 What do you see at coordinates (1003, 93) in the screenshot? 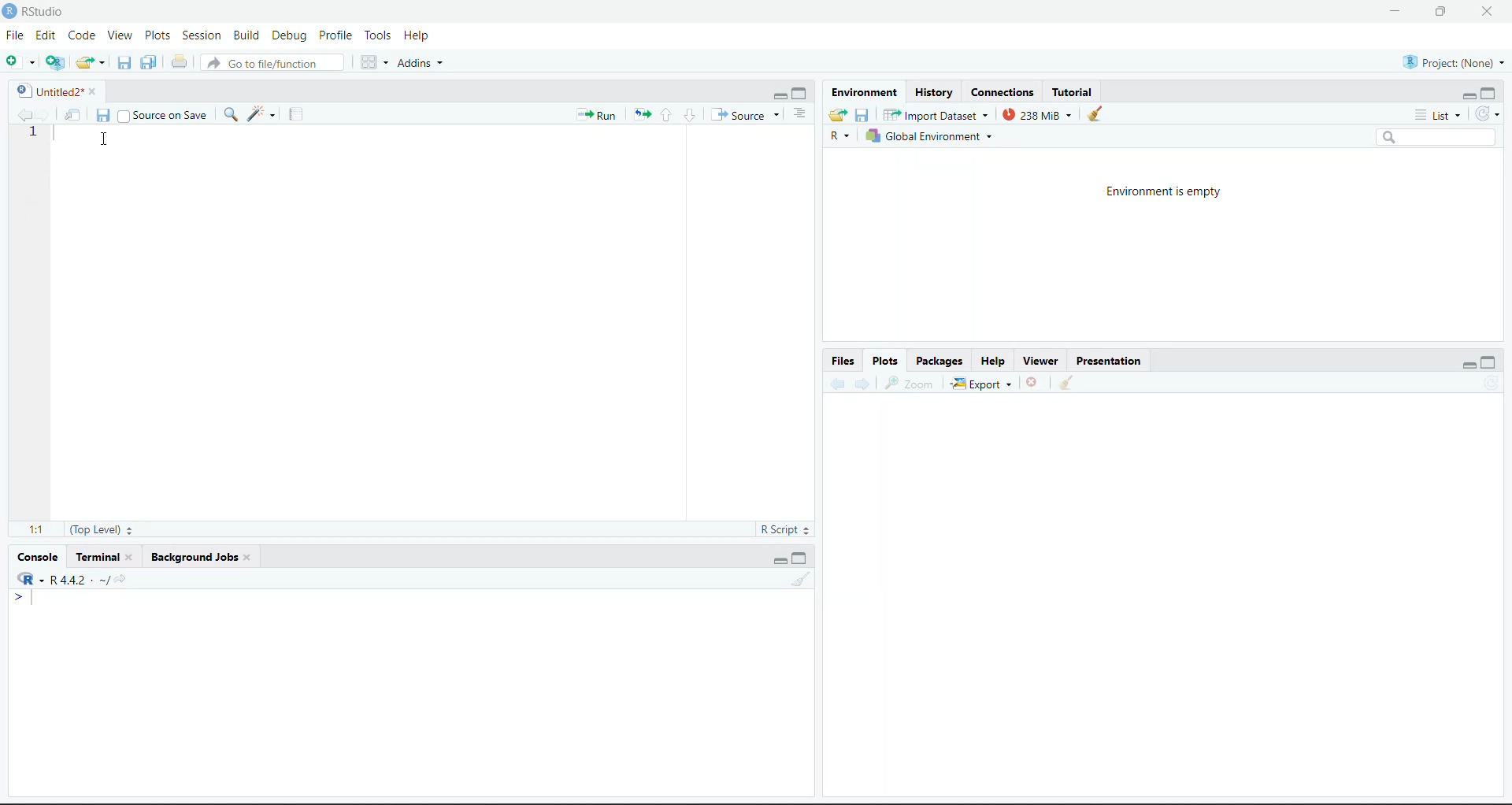
I see `Connections` at bounding box center [1003, 93].